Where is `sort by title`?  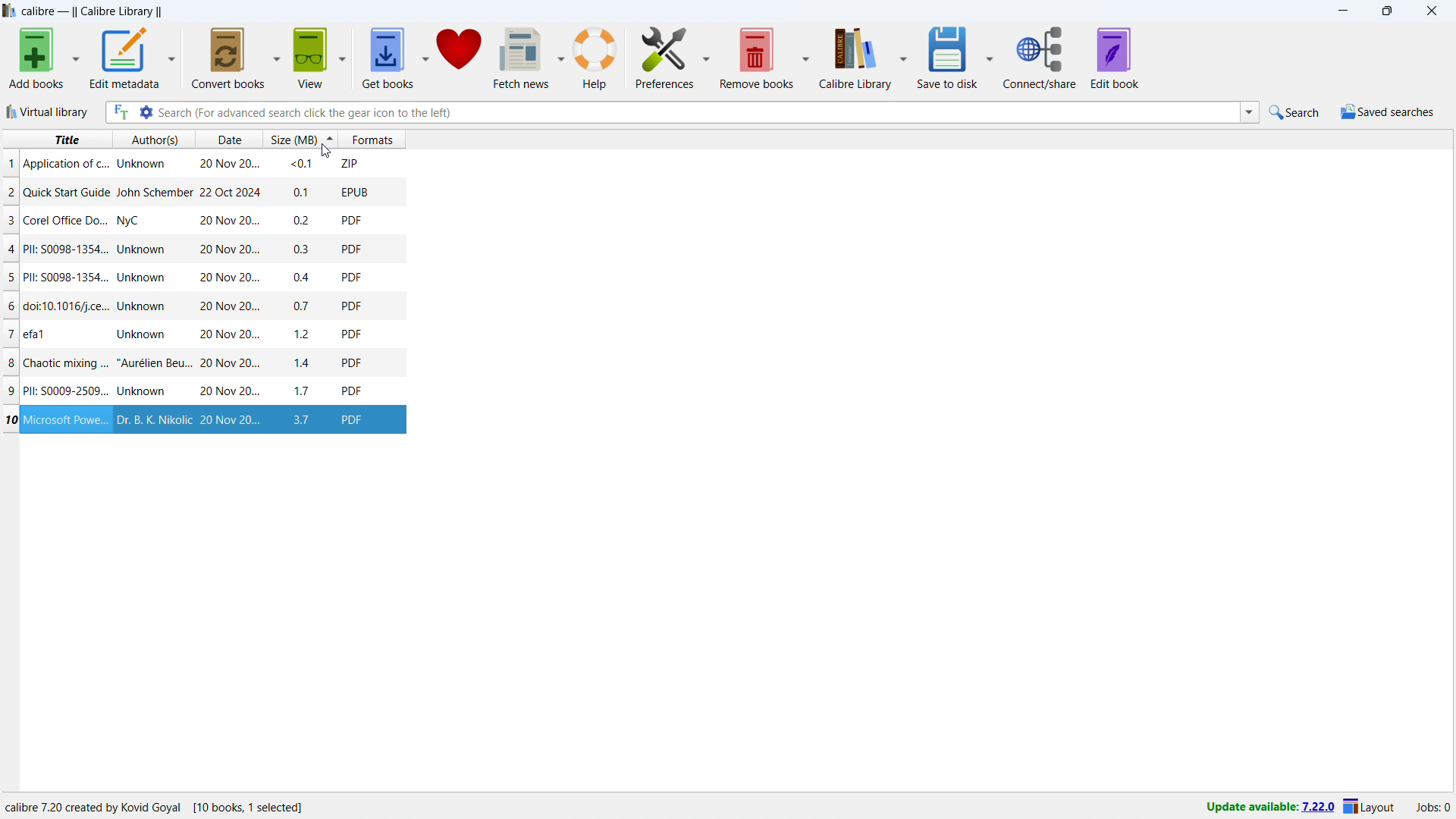
sort by title is located at coordinates (58, 140).